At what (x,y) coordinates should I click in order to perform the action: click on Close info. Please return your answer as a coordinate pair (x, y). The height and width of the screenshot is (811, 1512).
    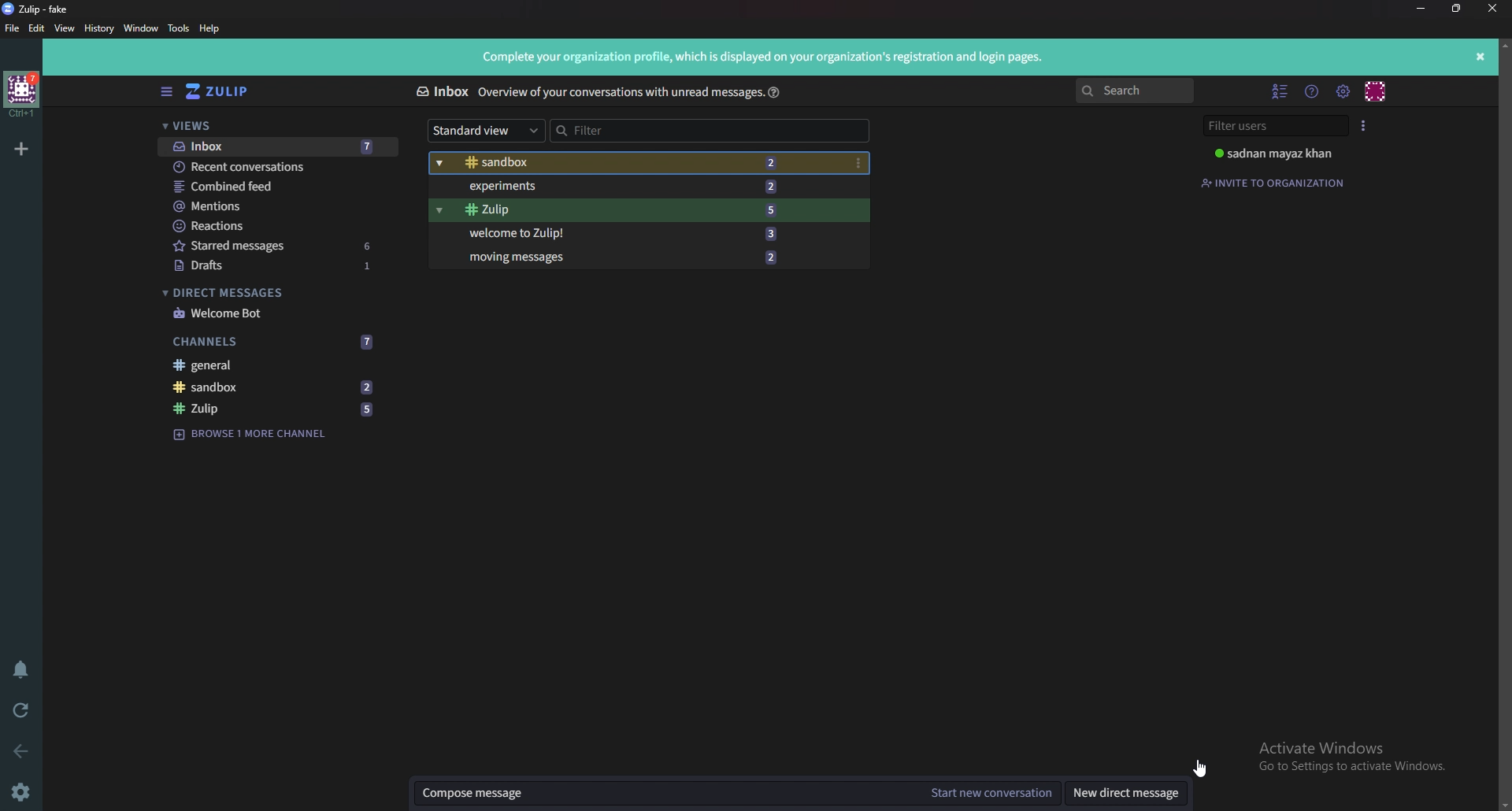
    Looking at the image, I should click on (1482, 55).